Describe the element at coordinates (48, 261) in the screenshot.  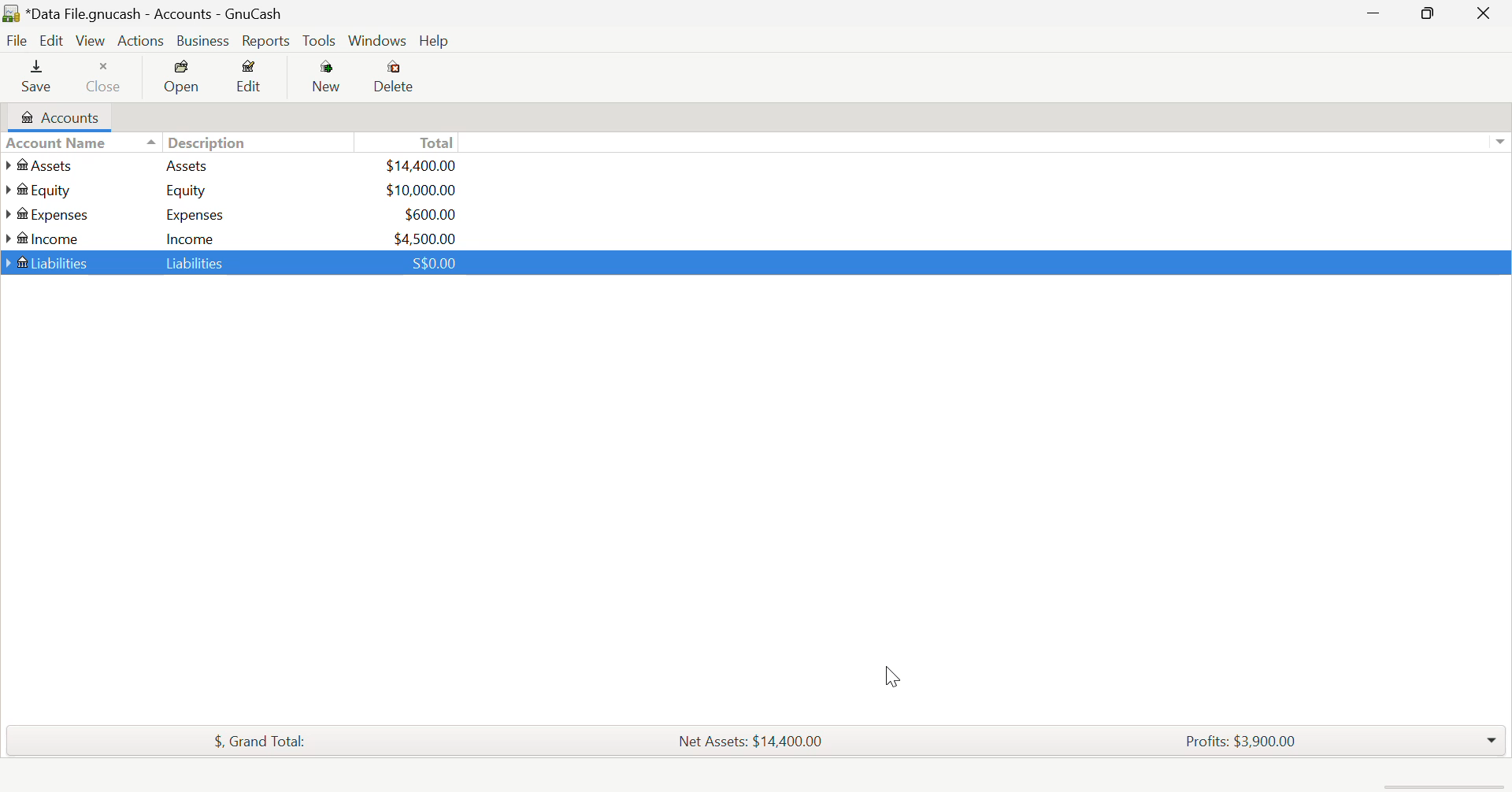
I see `Liabilities Account` at that location.